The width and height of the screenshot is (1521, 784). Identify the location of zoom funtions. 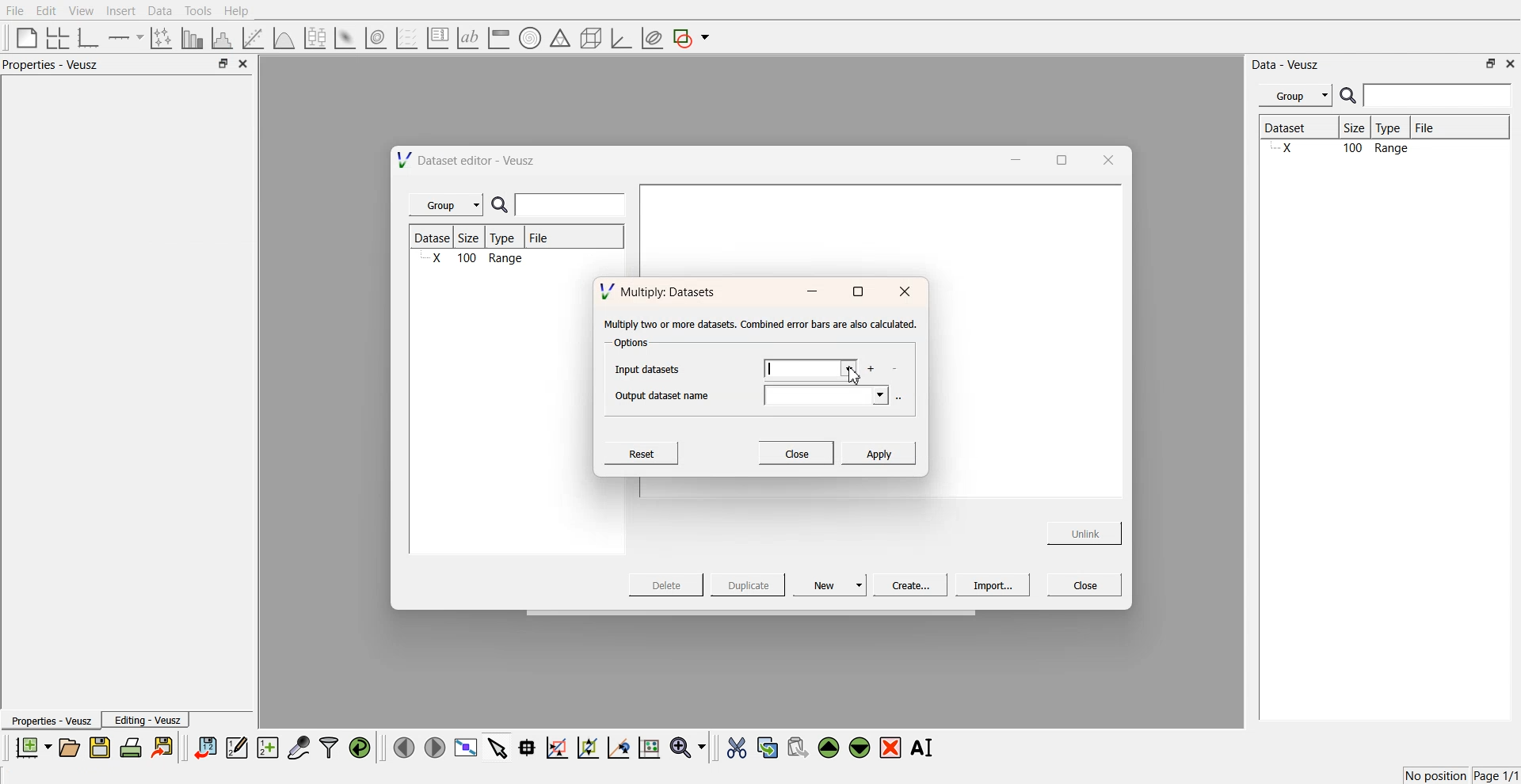
(688, 748).